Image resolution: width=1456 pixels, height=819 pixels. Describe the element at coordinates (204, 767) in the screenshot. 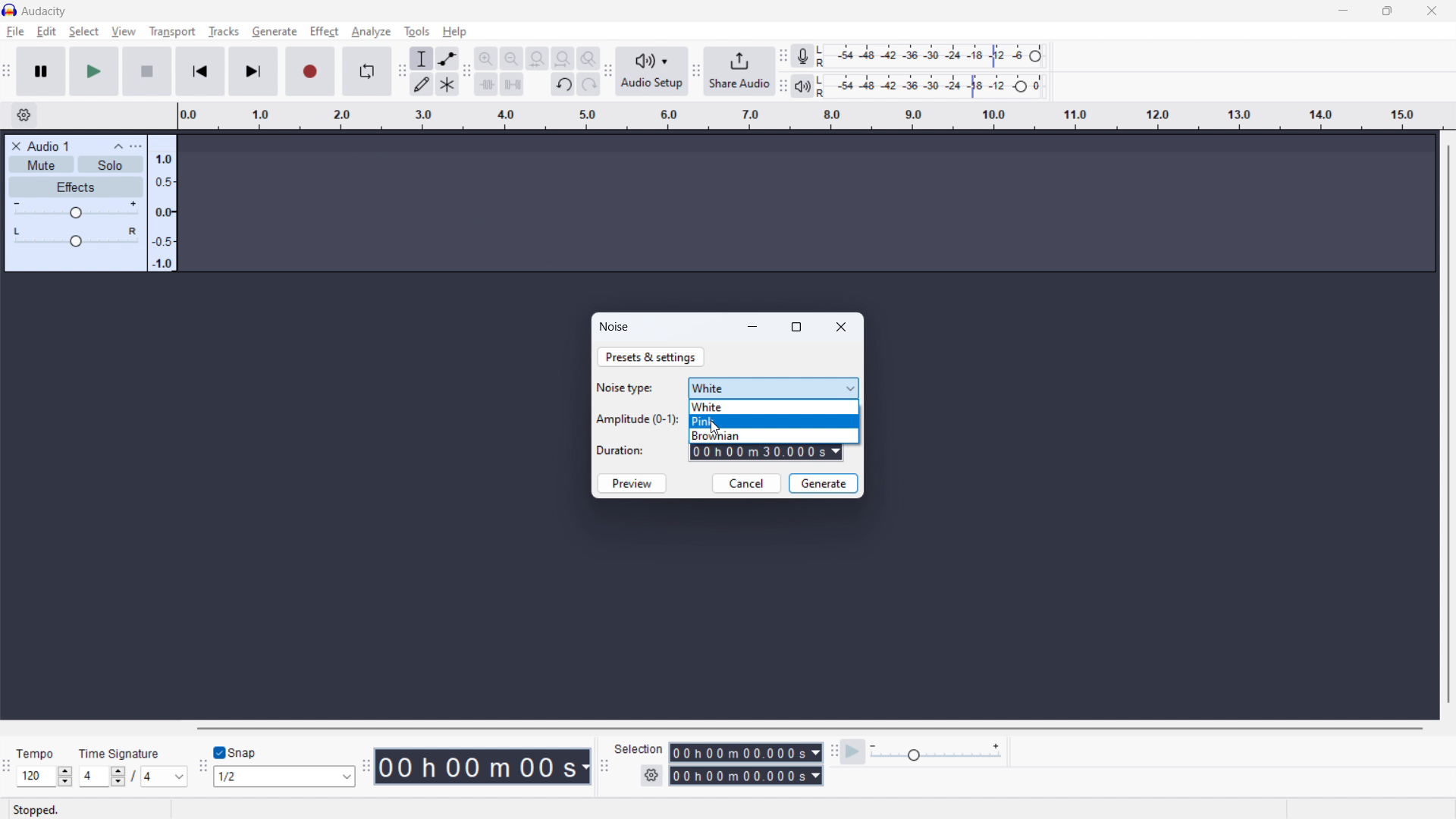

I see `snapping toolbar` at that location.